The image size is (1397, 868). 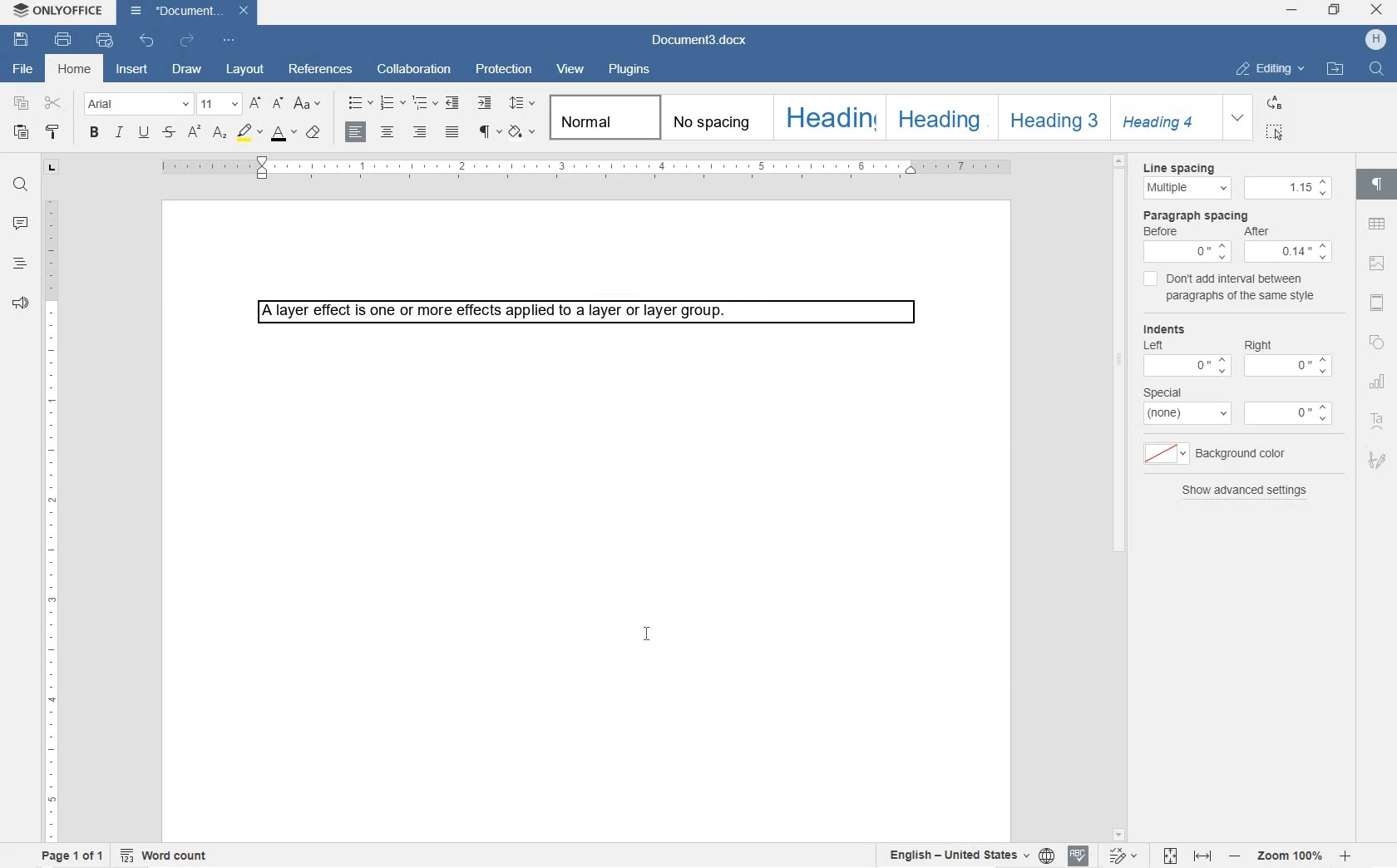 I want to click on REDO, so click(x=189, y=41).